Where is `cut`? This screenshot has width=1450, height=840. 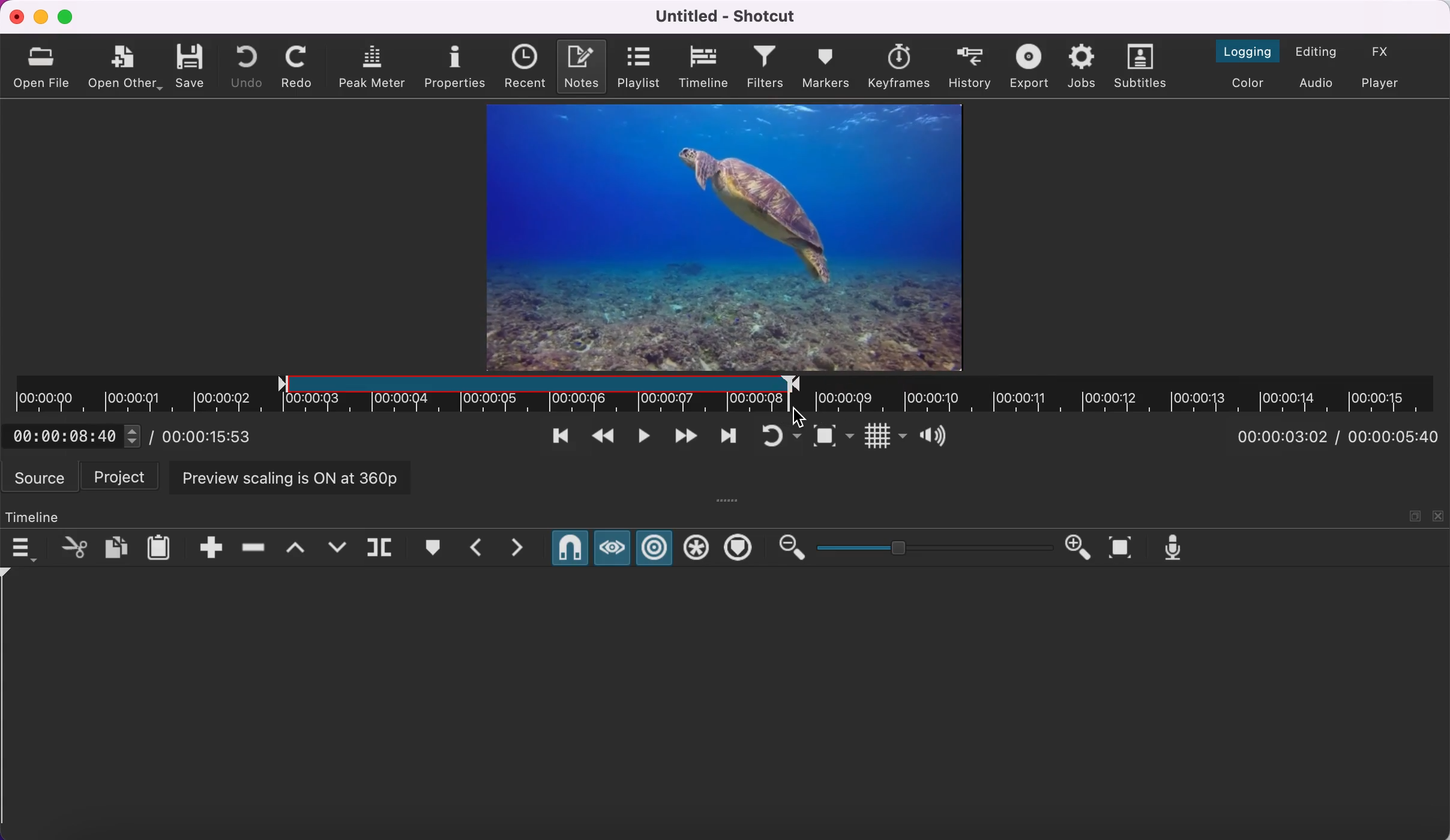
cut is located at coordinates (71, 545).